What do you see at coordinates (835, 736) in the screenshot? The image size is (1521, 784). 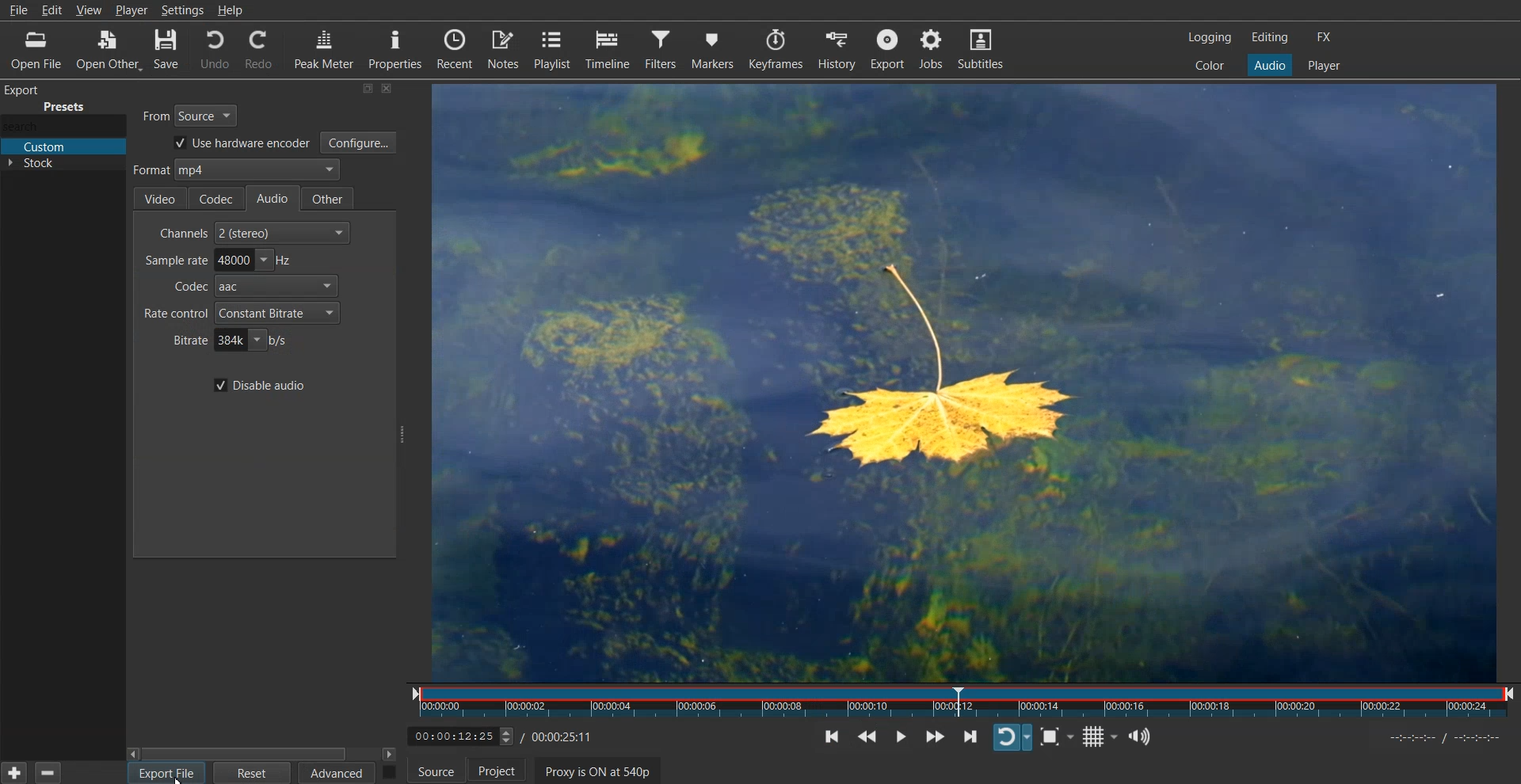 I see `Skip to the previous point` at bounding box center [835, 736].